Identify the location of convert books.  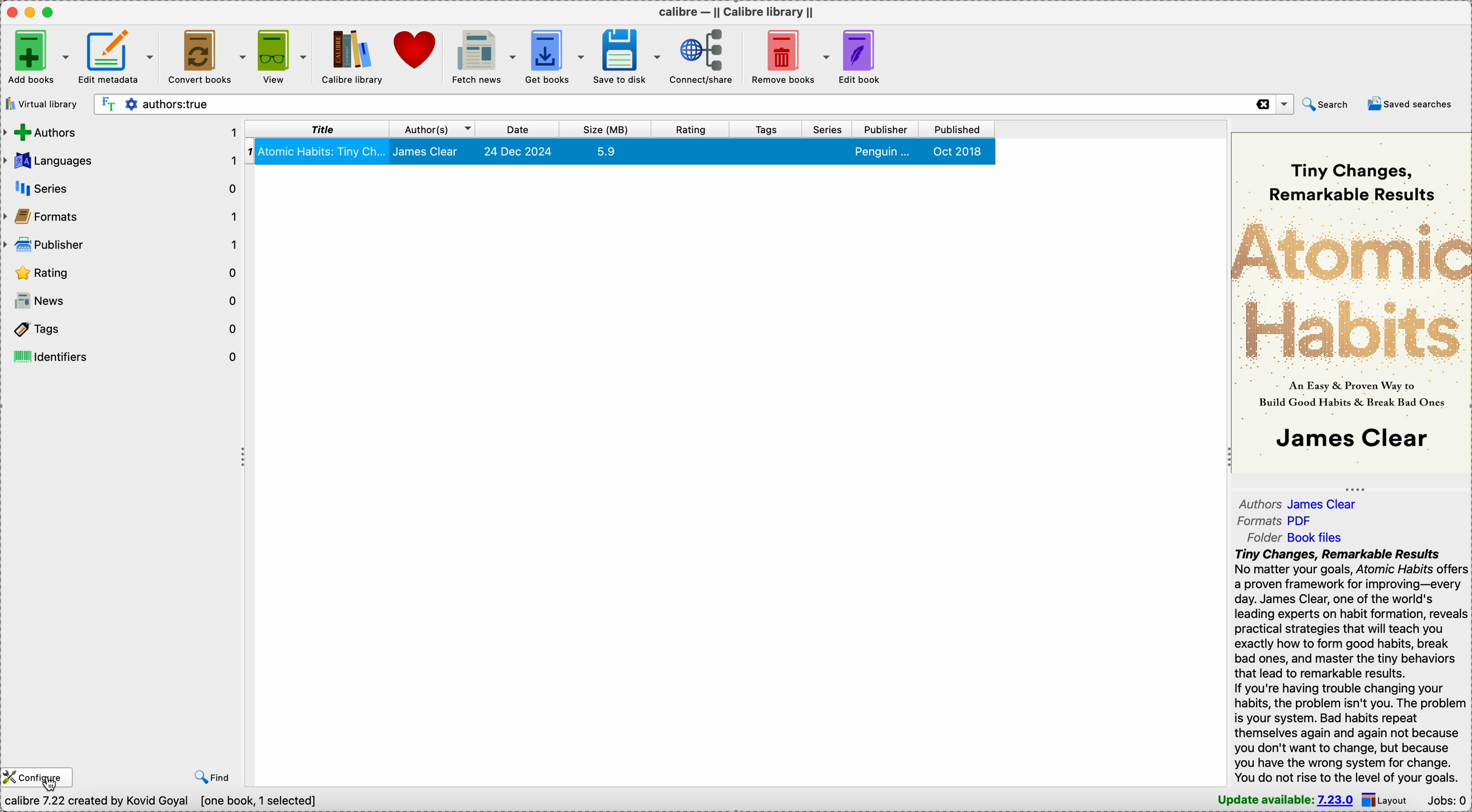
(208, 57).